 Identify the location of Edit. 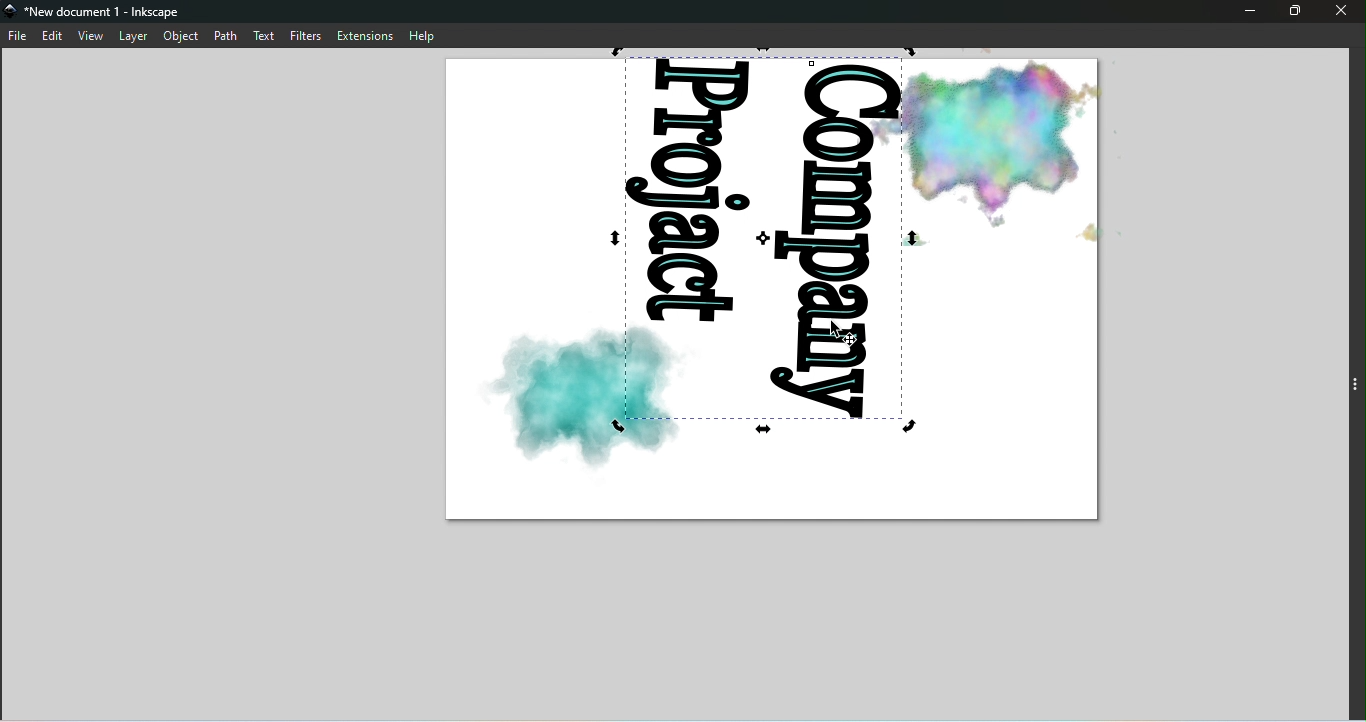
(52, 36).